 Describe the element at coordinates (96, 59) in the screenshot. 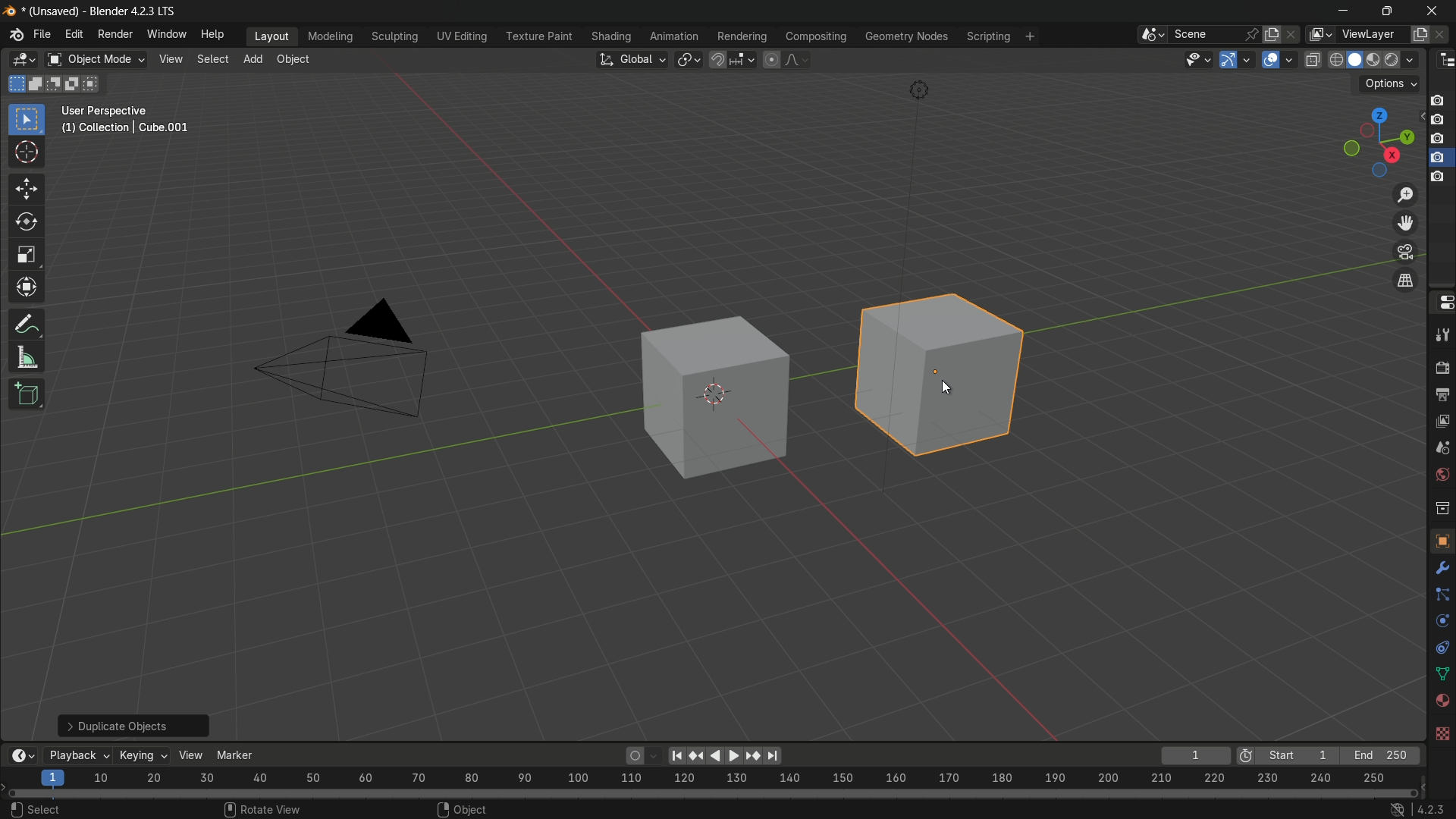

I see `object mode` at that location.